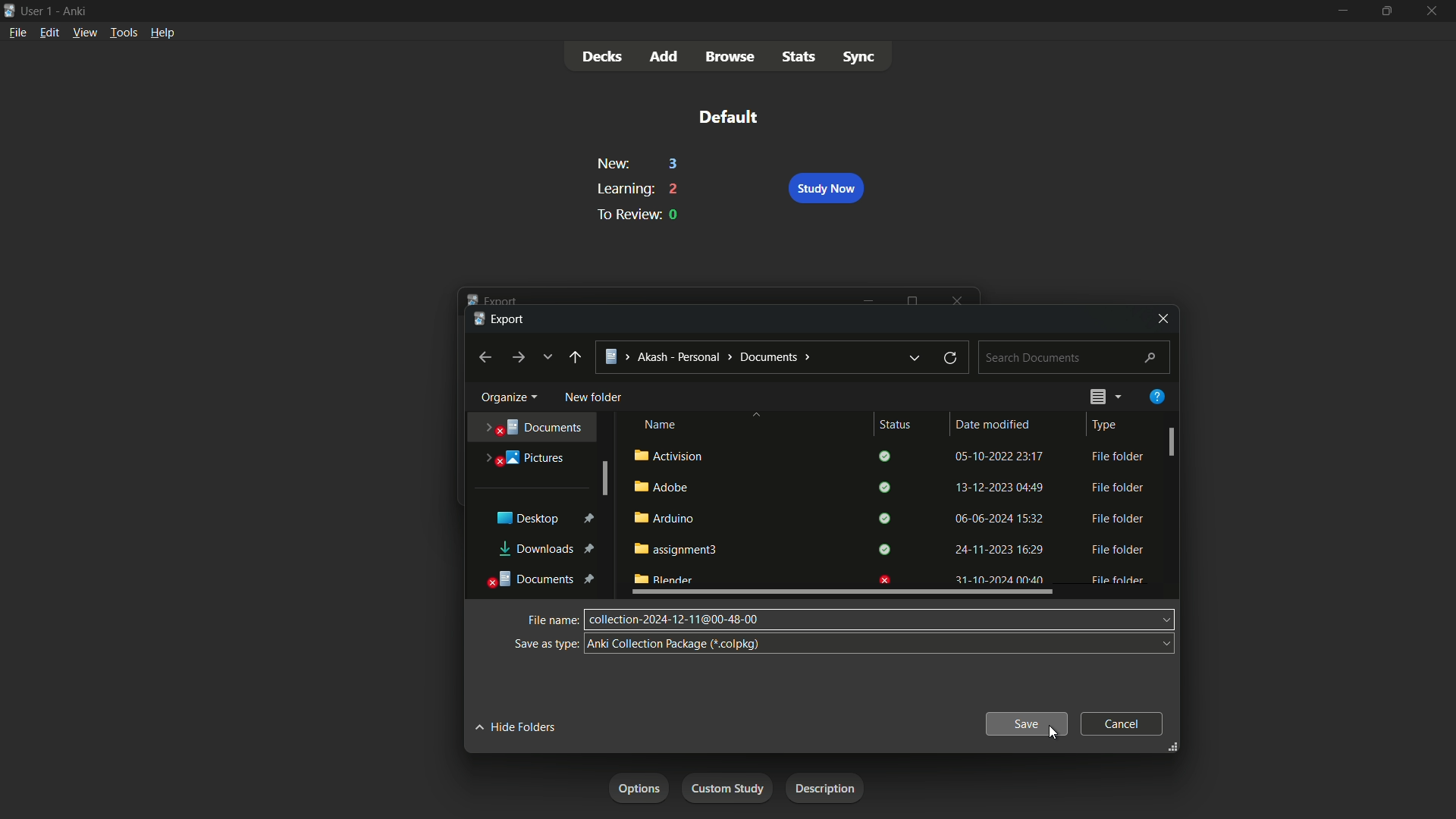  I want to click on documents, so click(543, 579).